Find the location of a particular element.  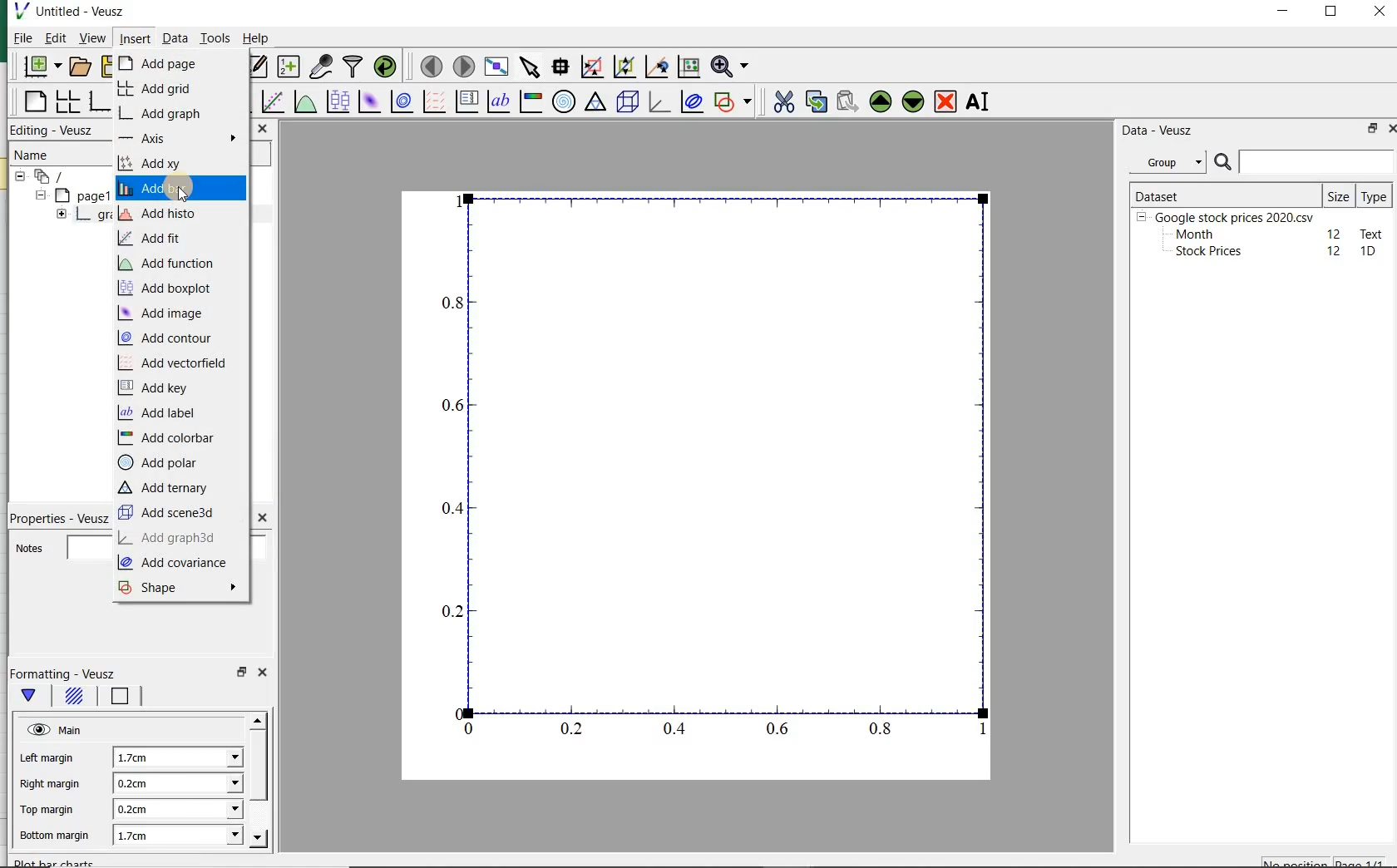

12 is located at coordinates (1335, 233).